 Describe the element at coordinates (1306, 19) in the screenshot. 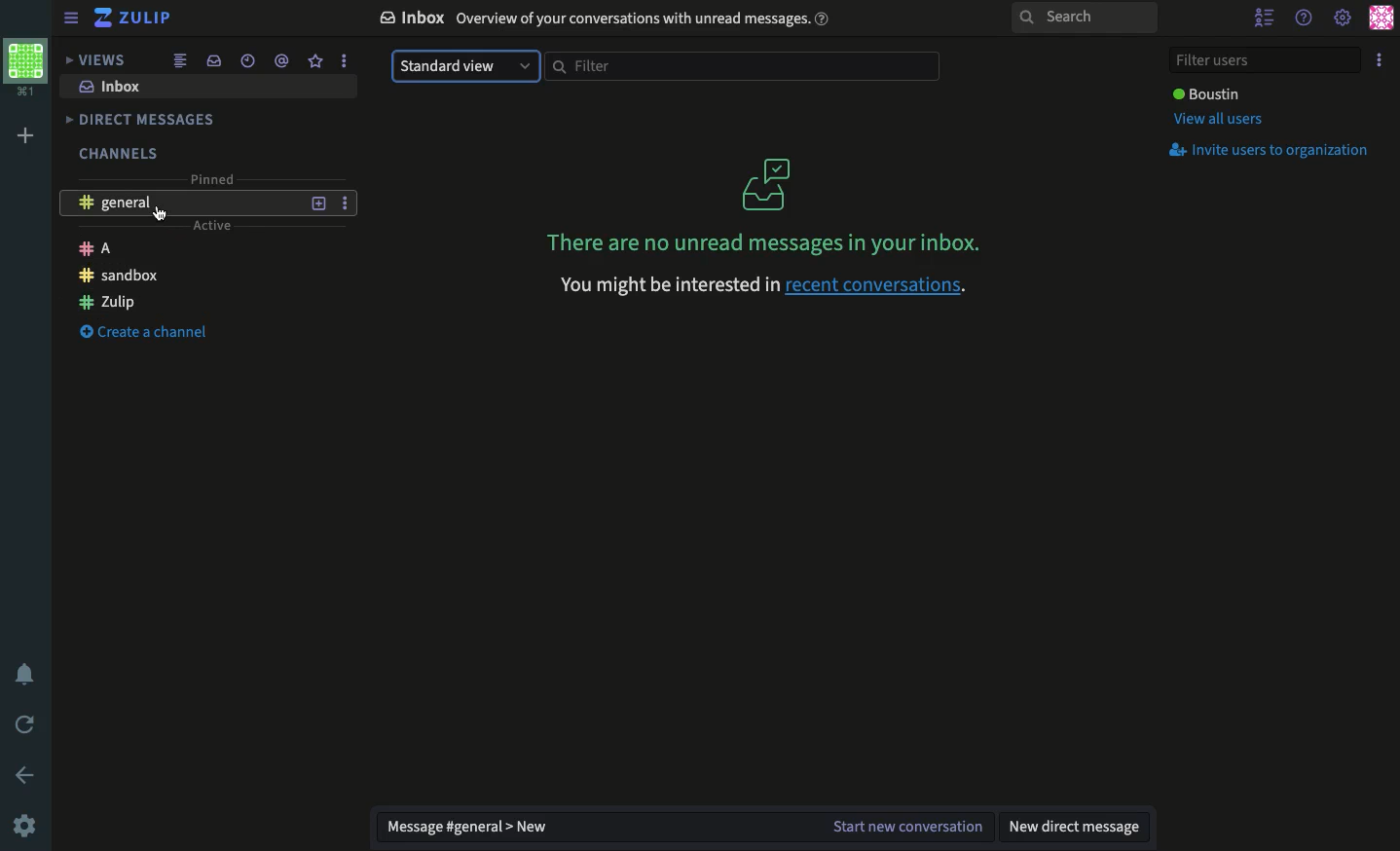

I see `Help` at that location.